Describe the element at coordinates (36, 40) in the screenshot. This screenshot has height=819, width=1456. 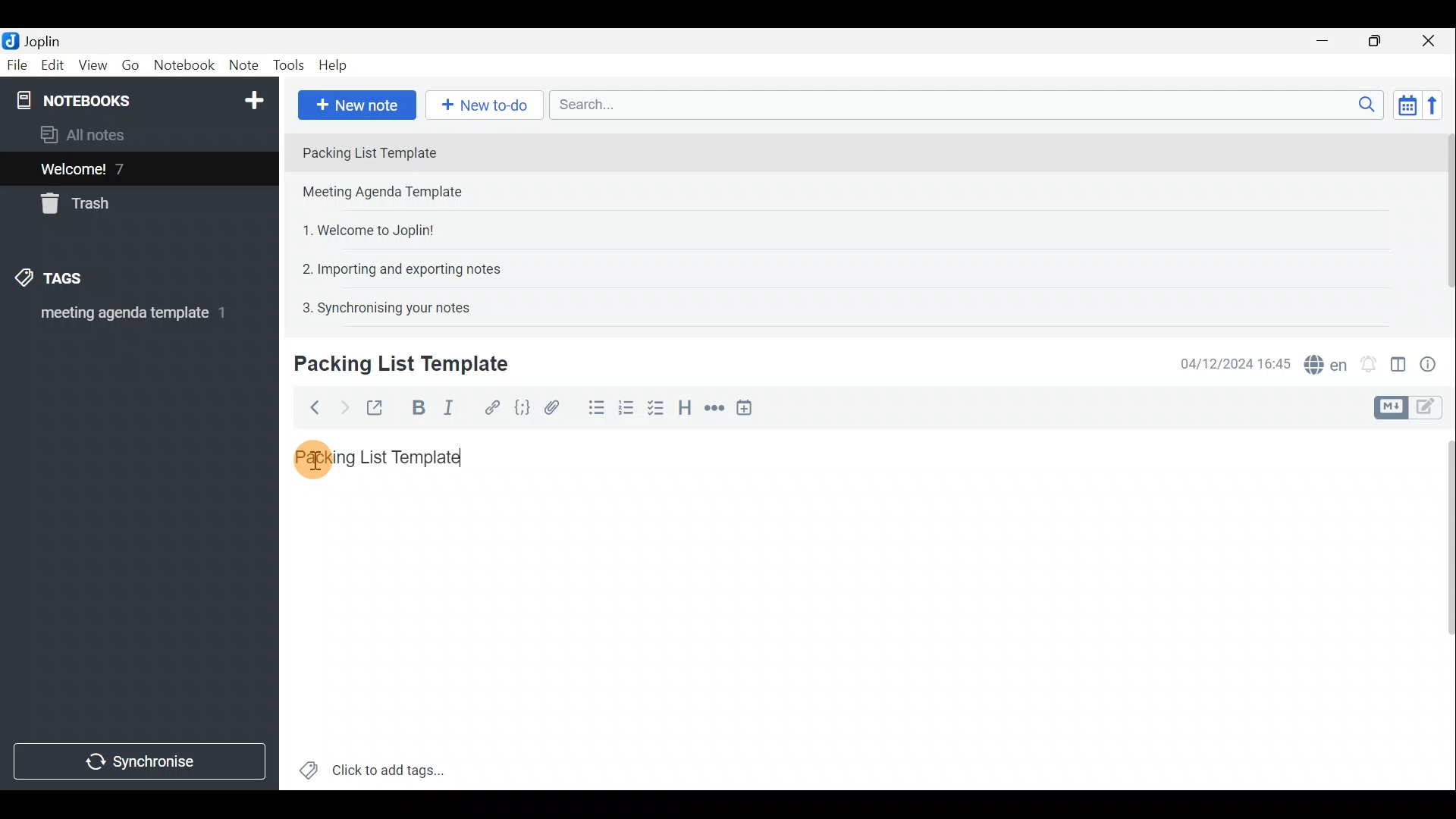
I see `Joplin` at that location.